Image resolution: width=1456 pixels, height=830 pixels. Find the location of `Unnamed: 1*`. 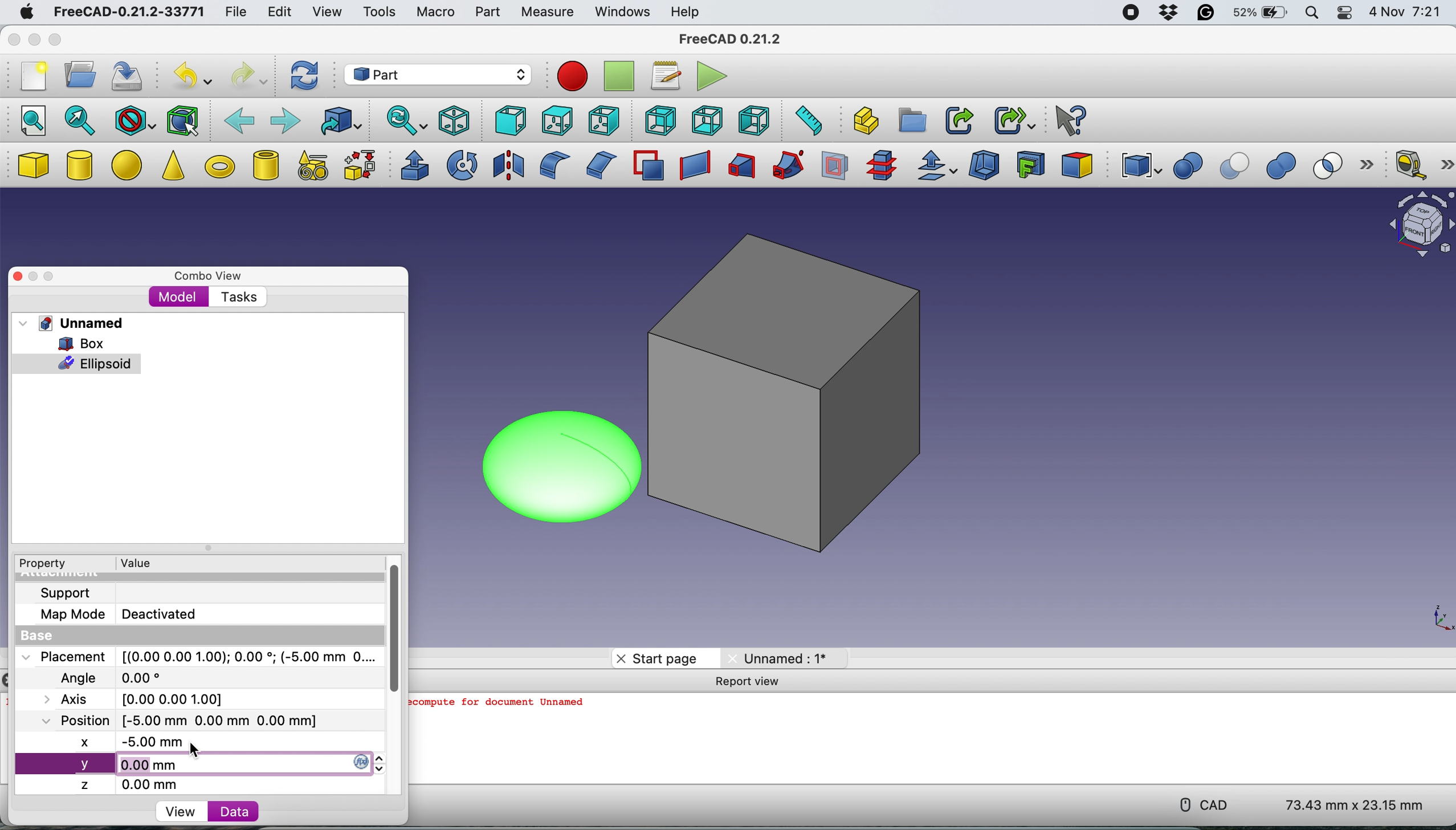

Unnamed: 1* is located at coordinates (779, 658).